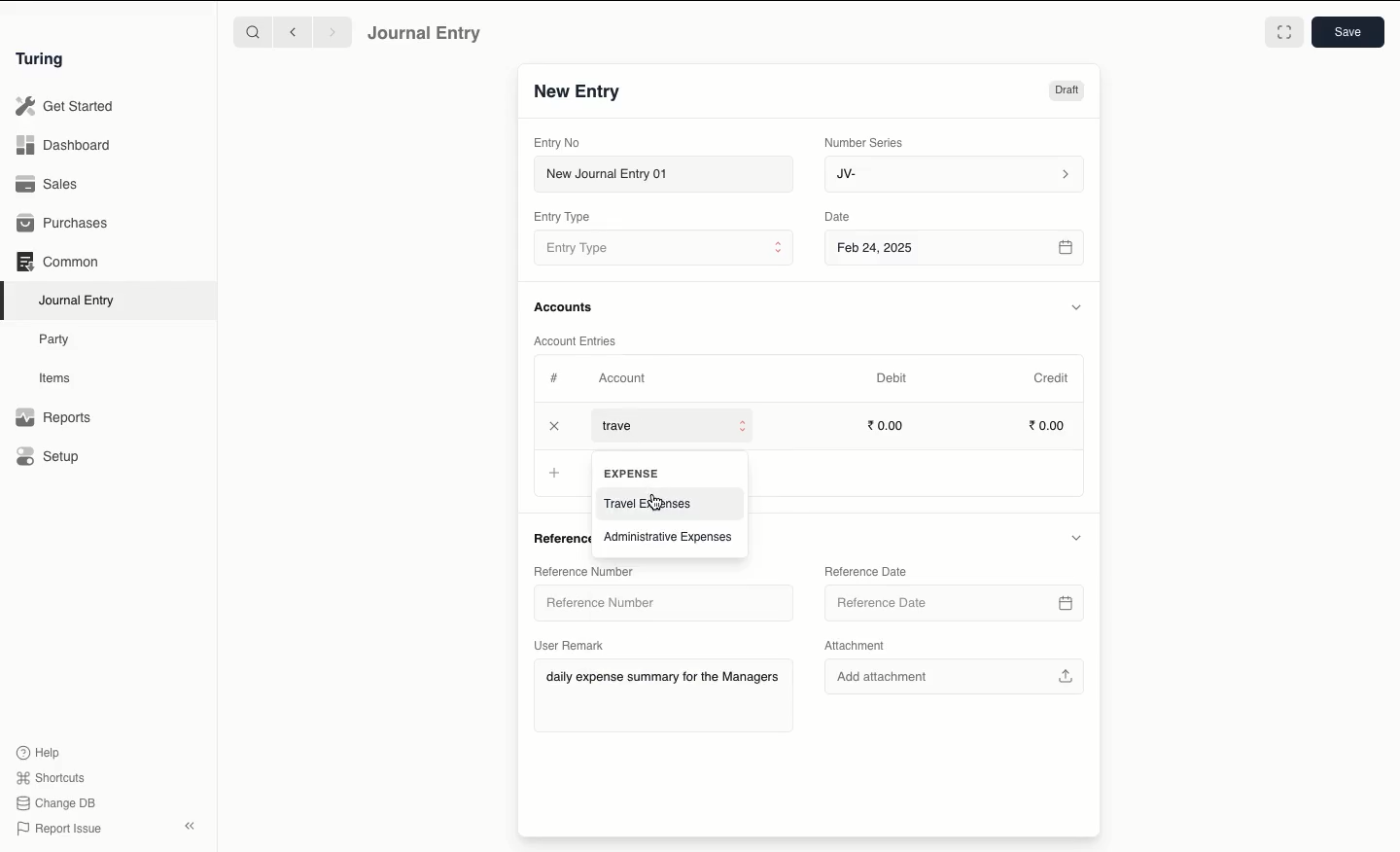 The width and height of the screenshot is (1400, 852). Describe the element at coordinates (44, 60) in the screenshot. I see `Turing` at that location.